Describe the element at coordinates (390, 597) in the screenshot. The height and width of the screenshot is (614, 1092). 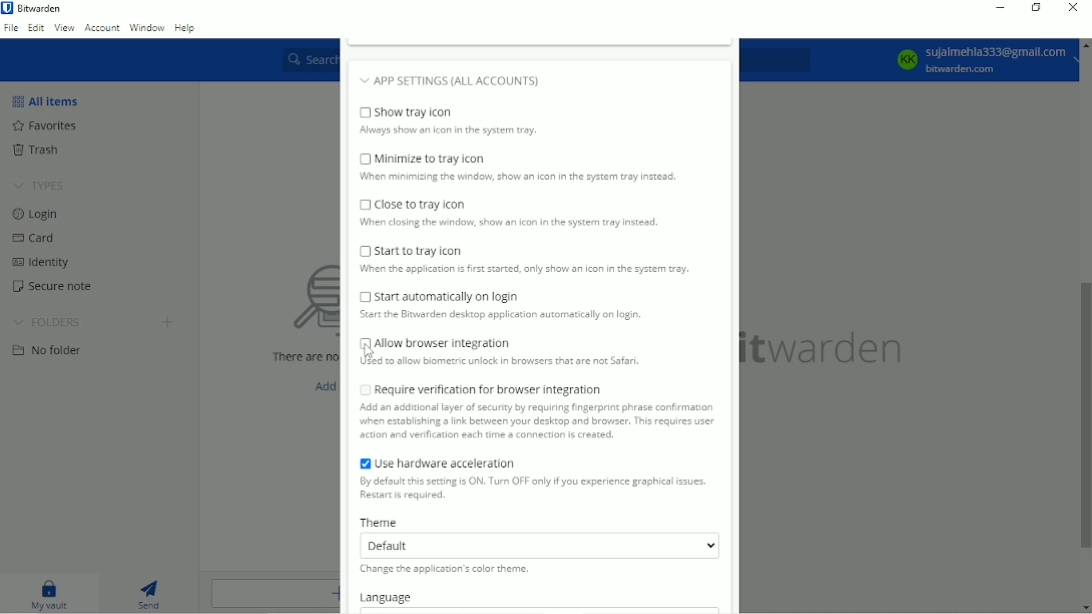
I see `Language` at that location.